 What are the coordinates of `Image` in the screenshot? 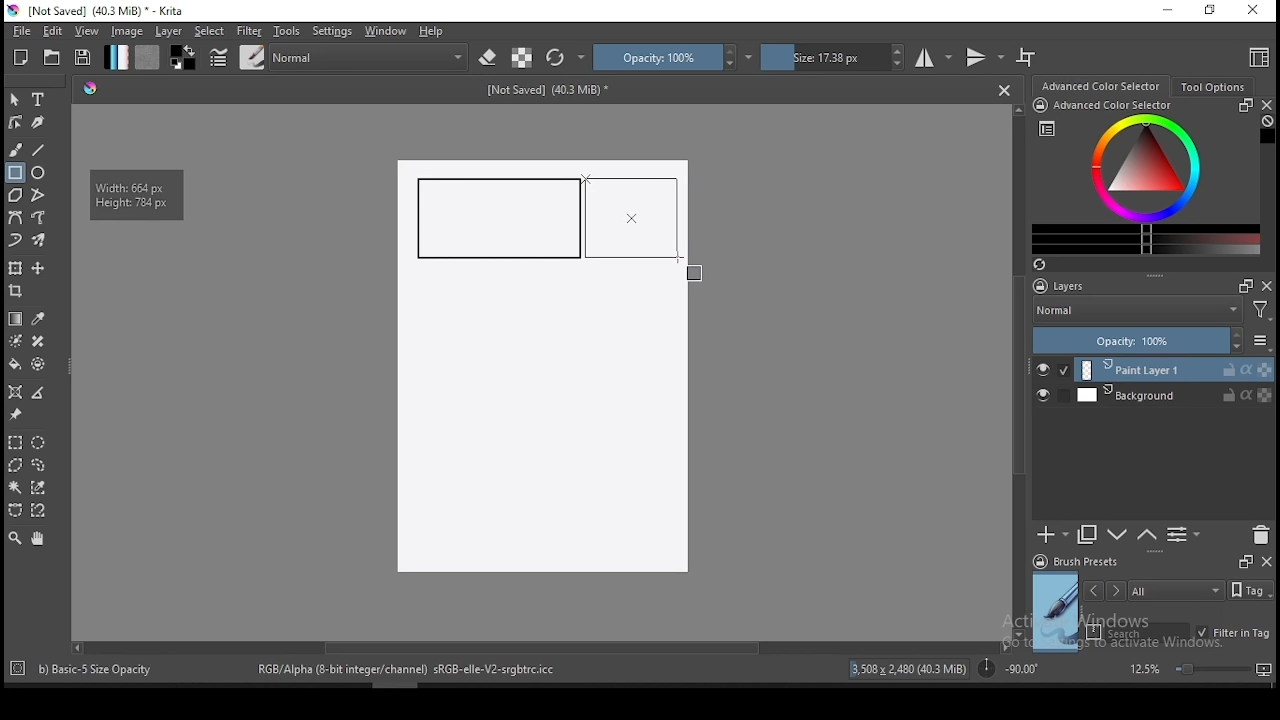 It's located at (541, 422).